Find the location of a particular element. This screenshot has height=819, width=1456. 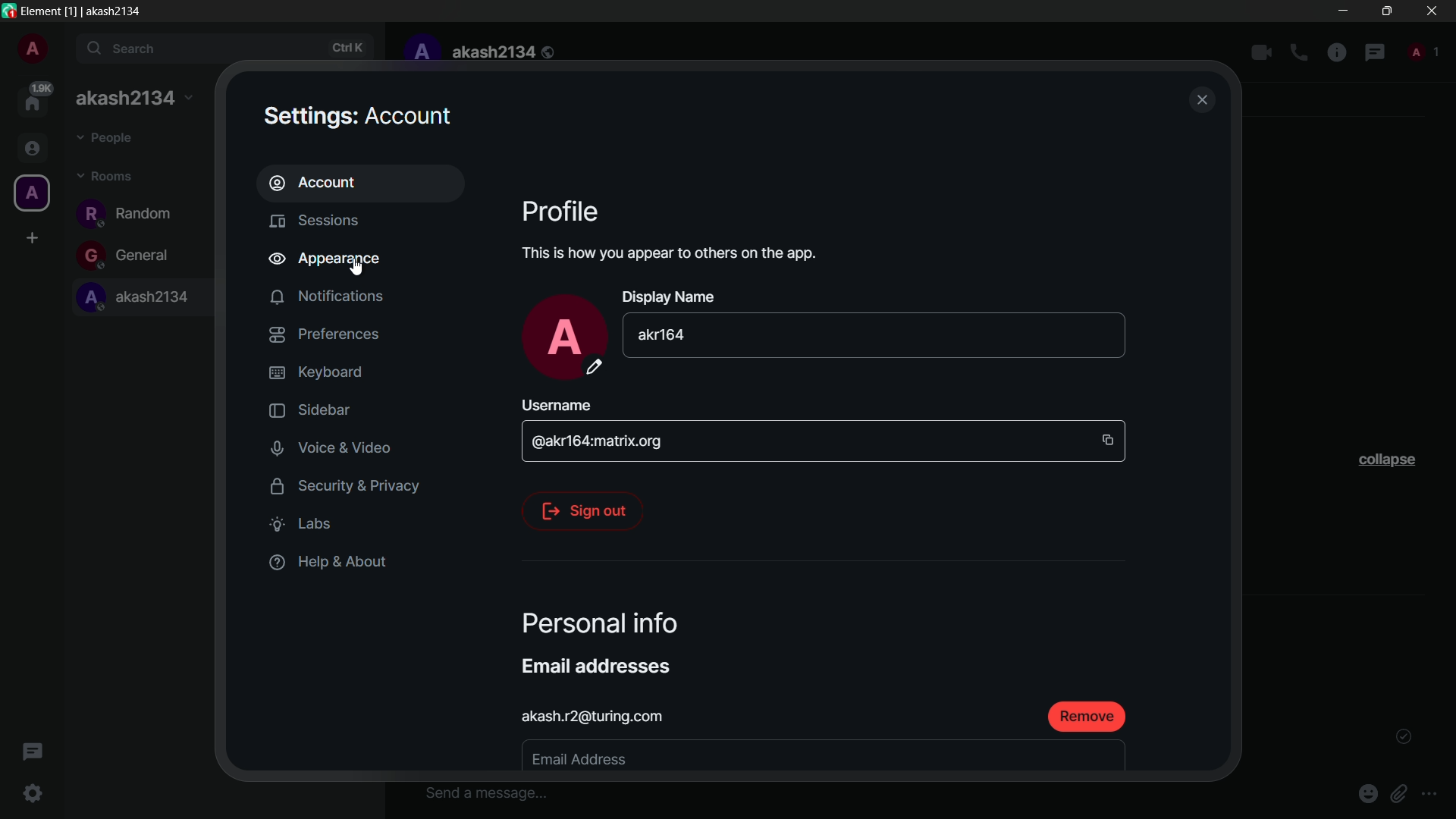

sign out is located at coordinates (576, 513).